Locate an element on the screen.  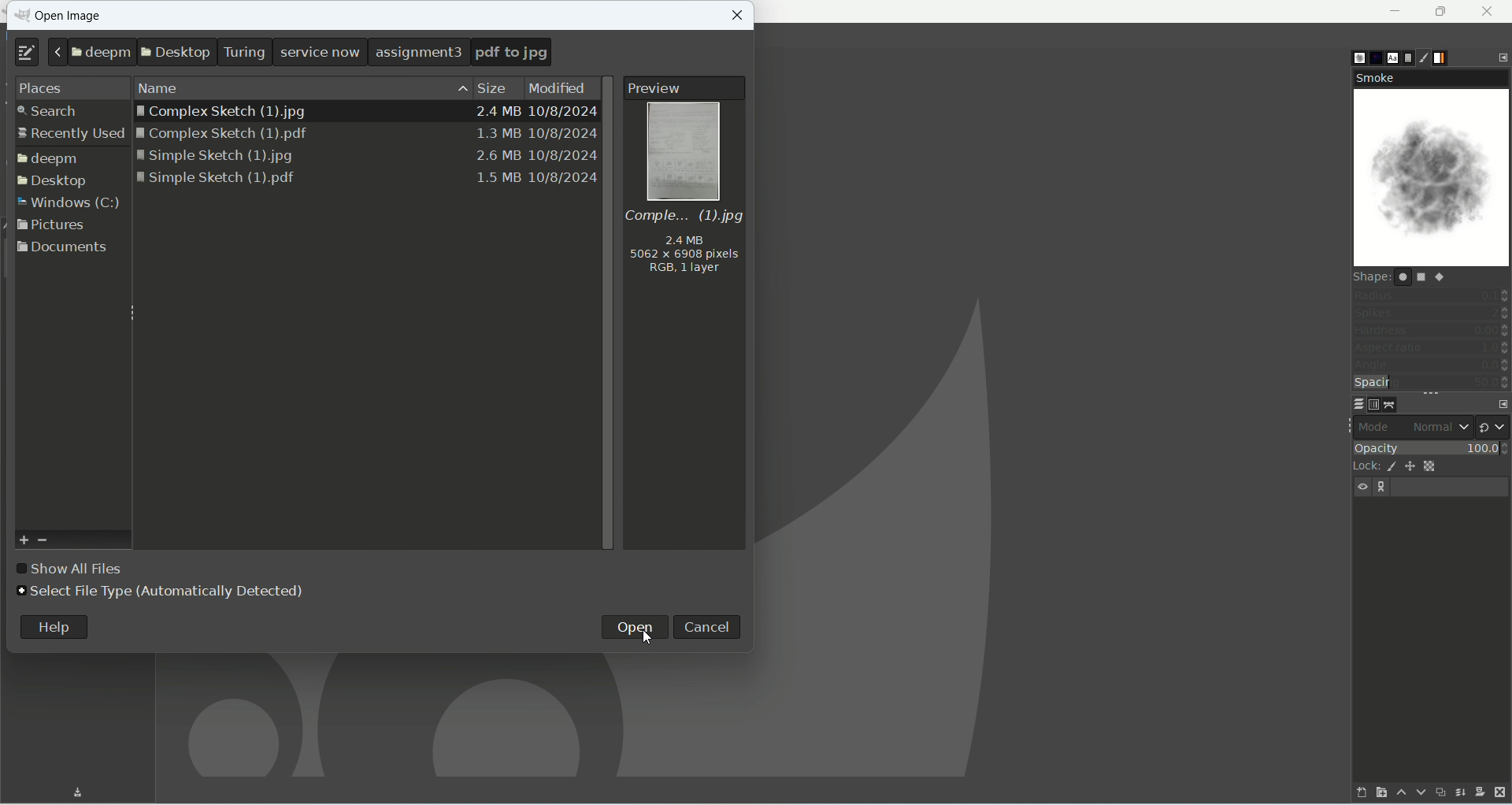
configure this tab is located at coordinates (1502, 403).